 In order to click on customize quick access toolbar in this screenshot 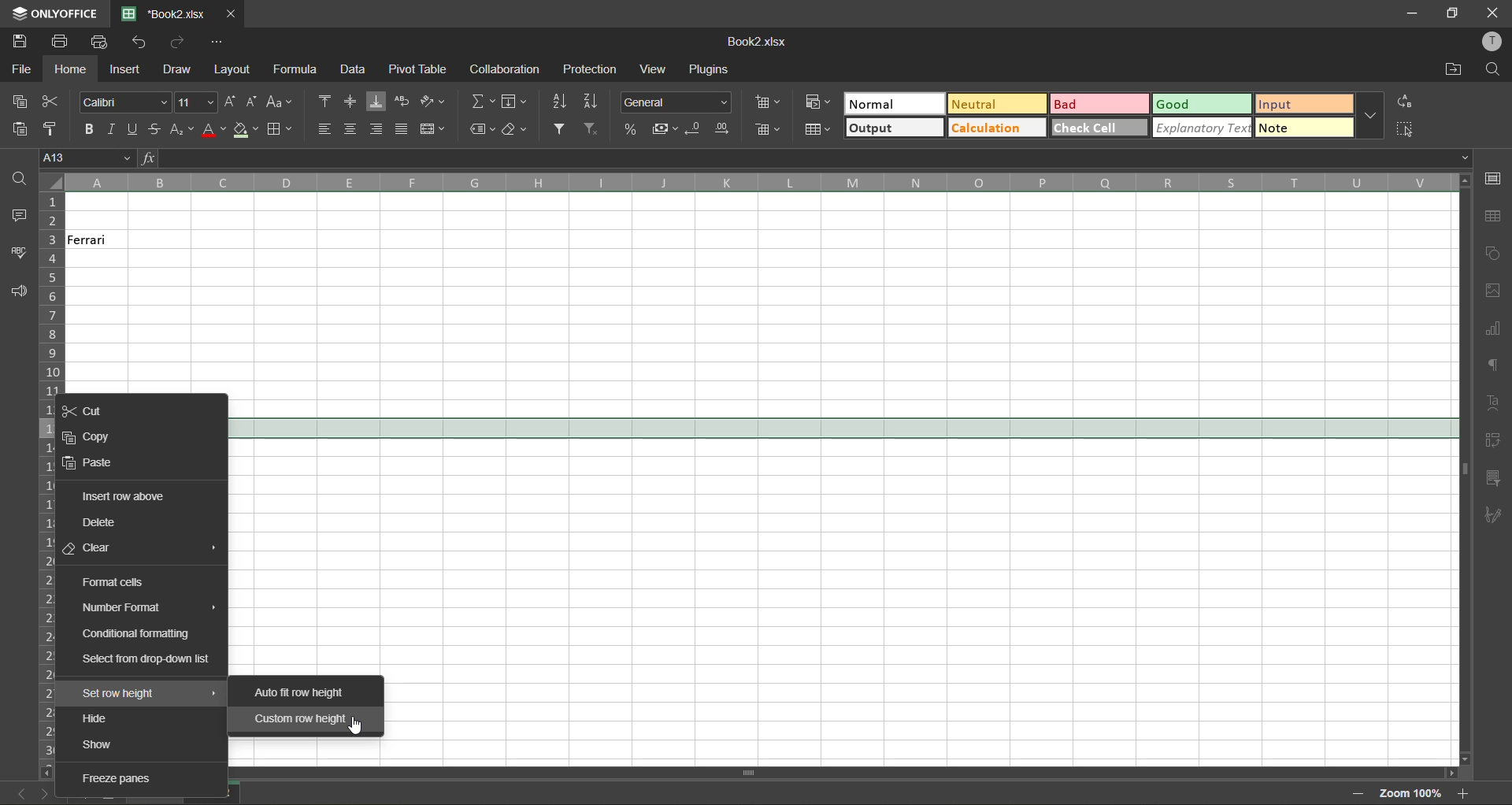, I will do `click(215, 41)`.